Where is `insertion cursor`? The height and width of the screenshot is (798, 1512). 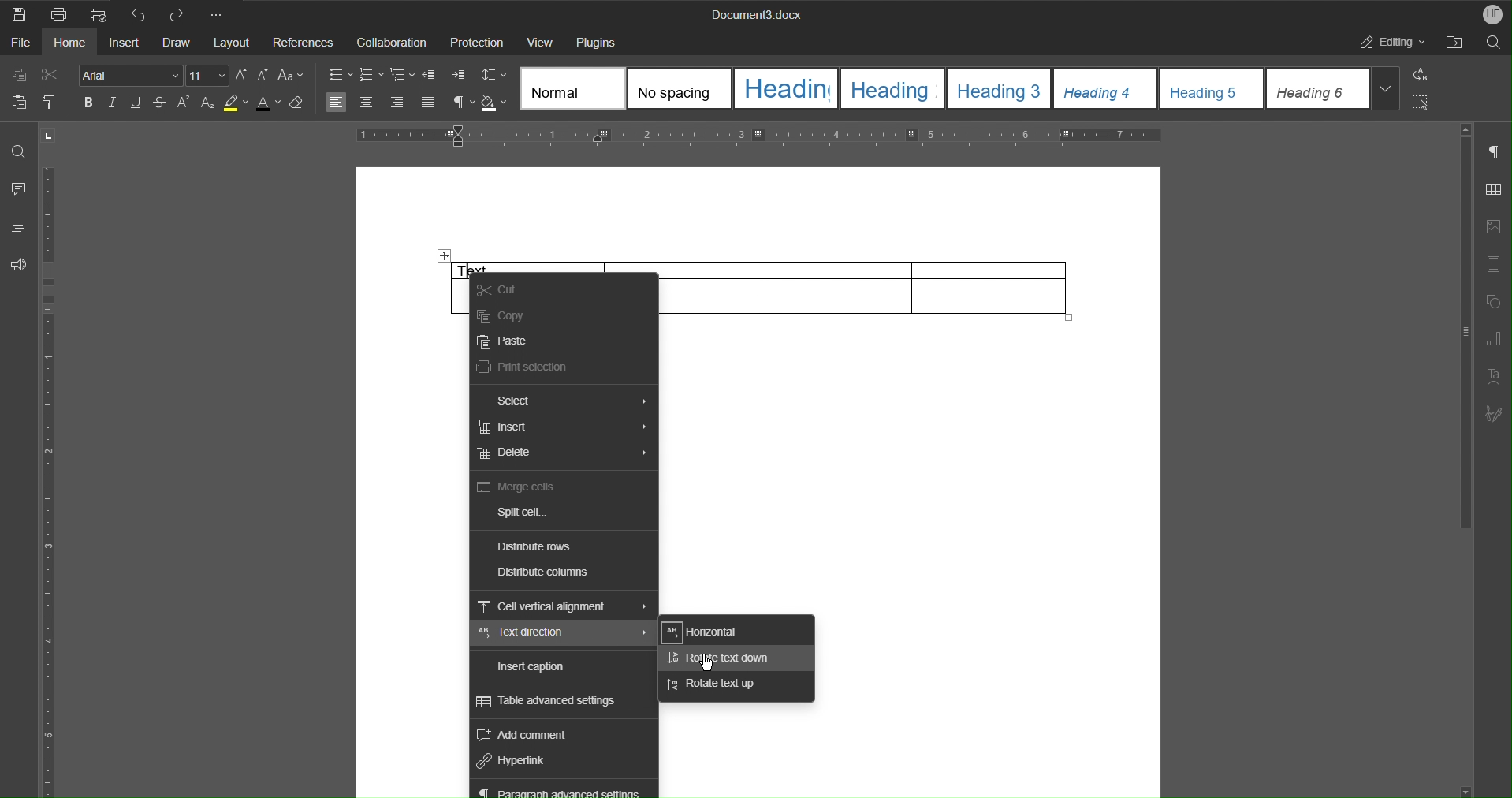
insertion cursor is located at coordinates (472, 268).